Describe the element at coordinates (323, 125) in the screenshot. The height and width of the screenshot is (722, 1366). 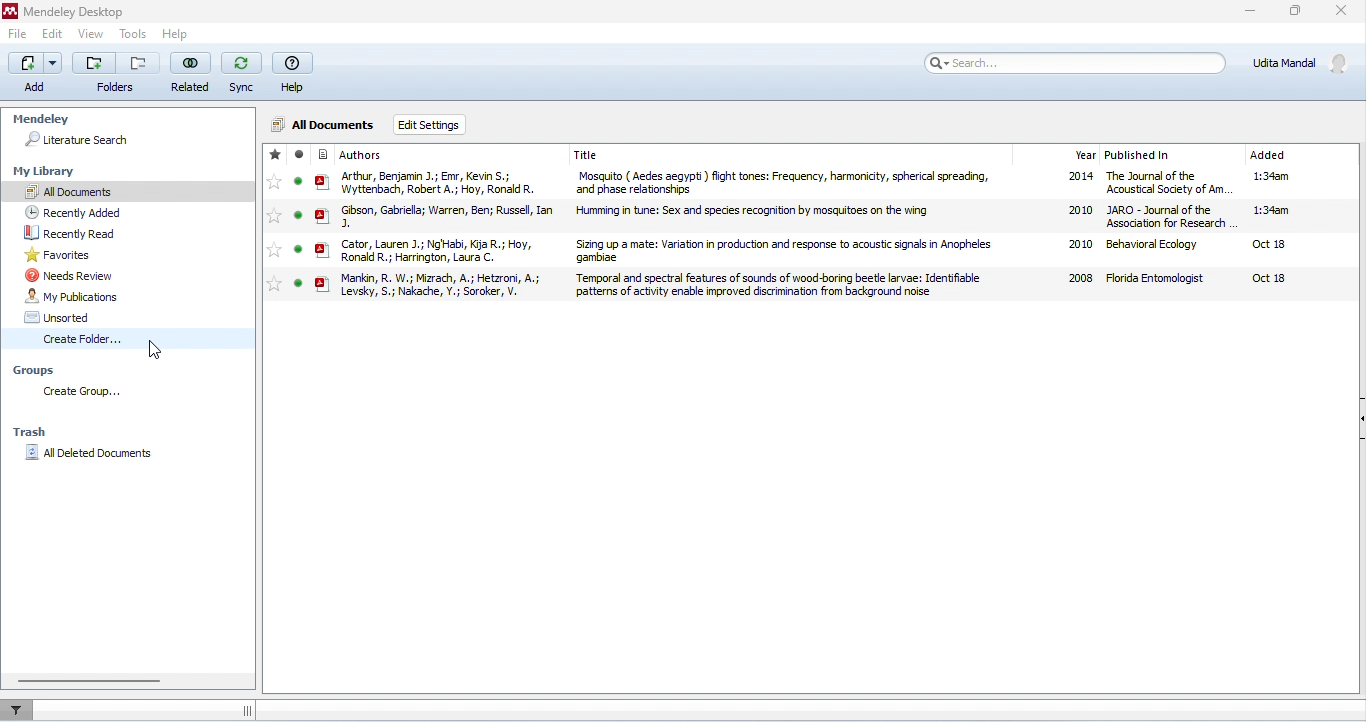
I see `all documents` at that location.